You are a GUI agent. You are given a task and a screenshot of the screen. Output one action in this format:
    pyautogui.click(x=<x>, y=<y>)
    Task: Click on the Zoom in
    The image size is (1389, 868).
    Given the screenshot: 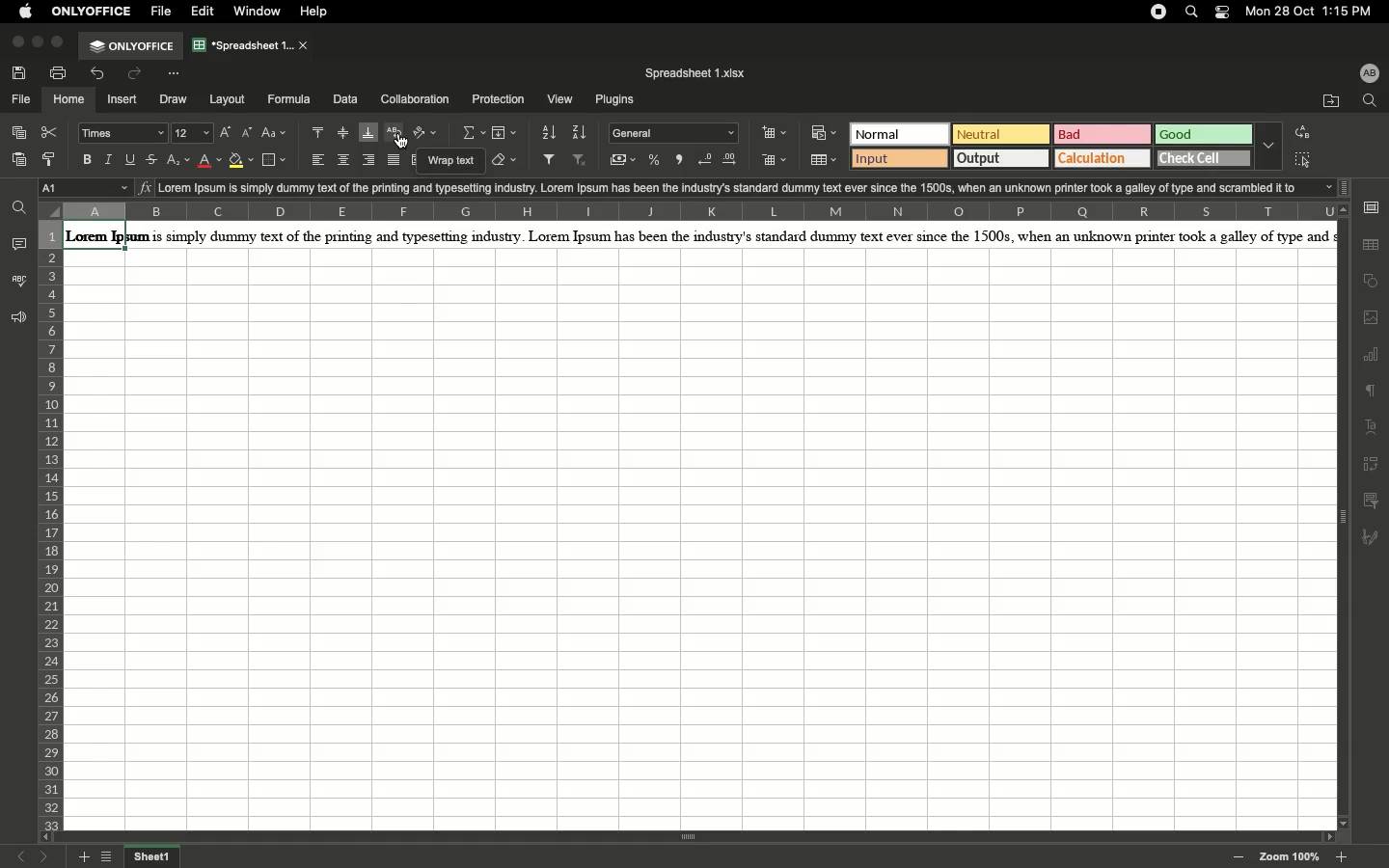 What is the action you would take?
    pyautogui.click(x=1344, y=857)
    